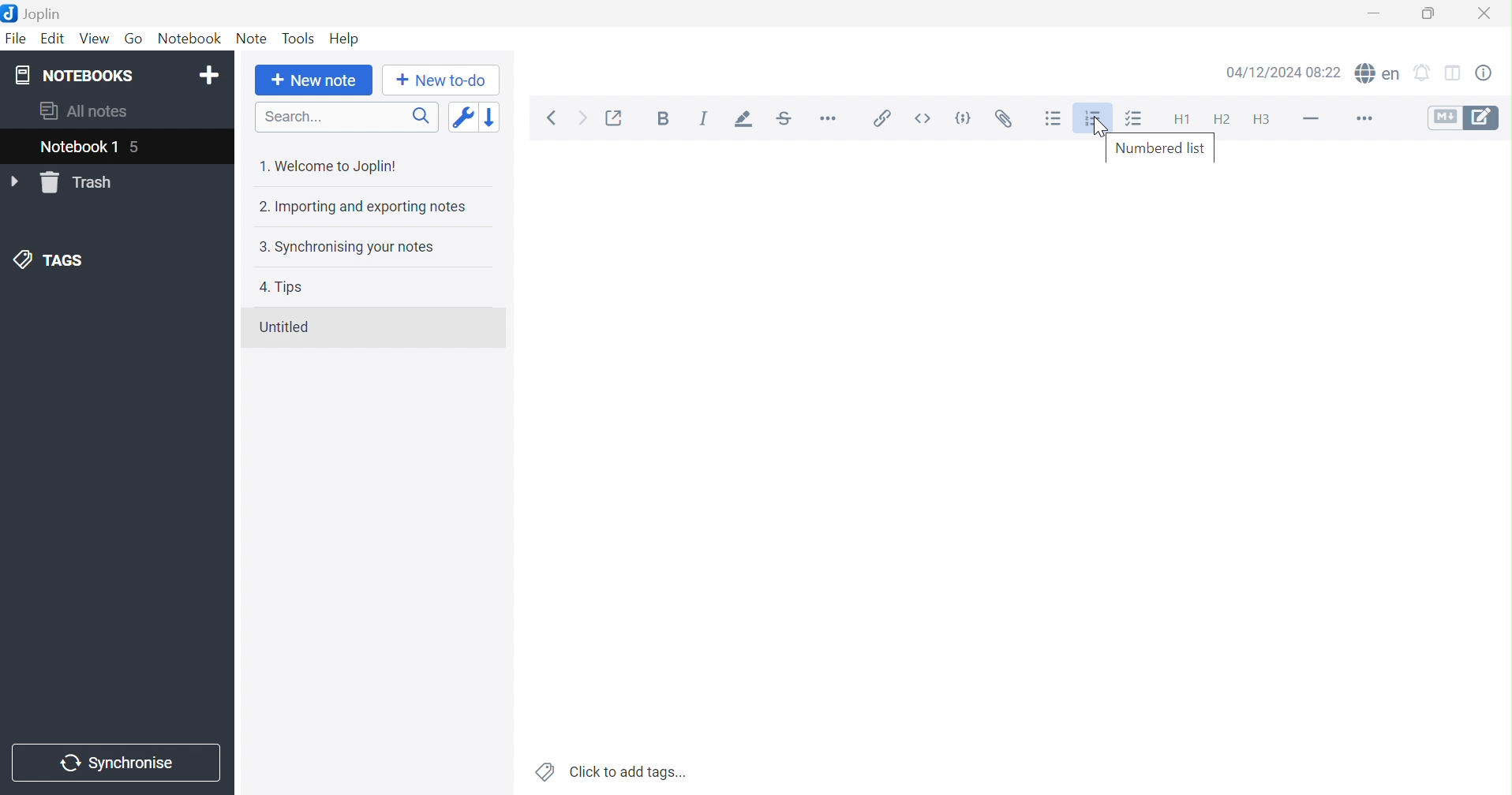 Image resolution: width=1512 pixels, height=795 pixels. I want to click on Untitled, so click(283, 327).